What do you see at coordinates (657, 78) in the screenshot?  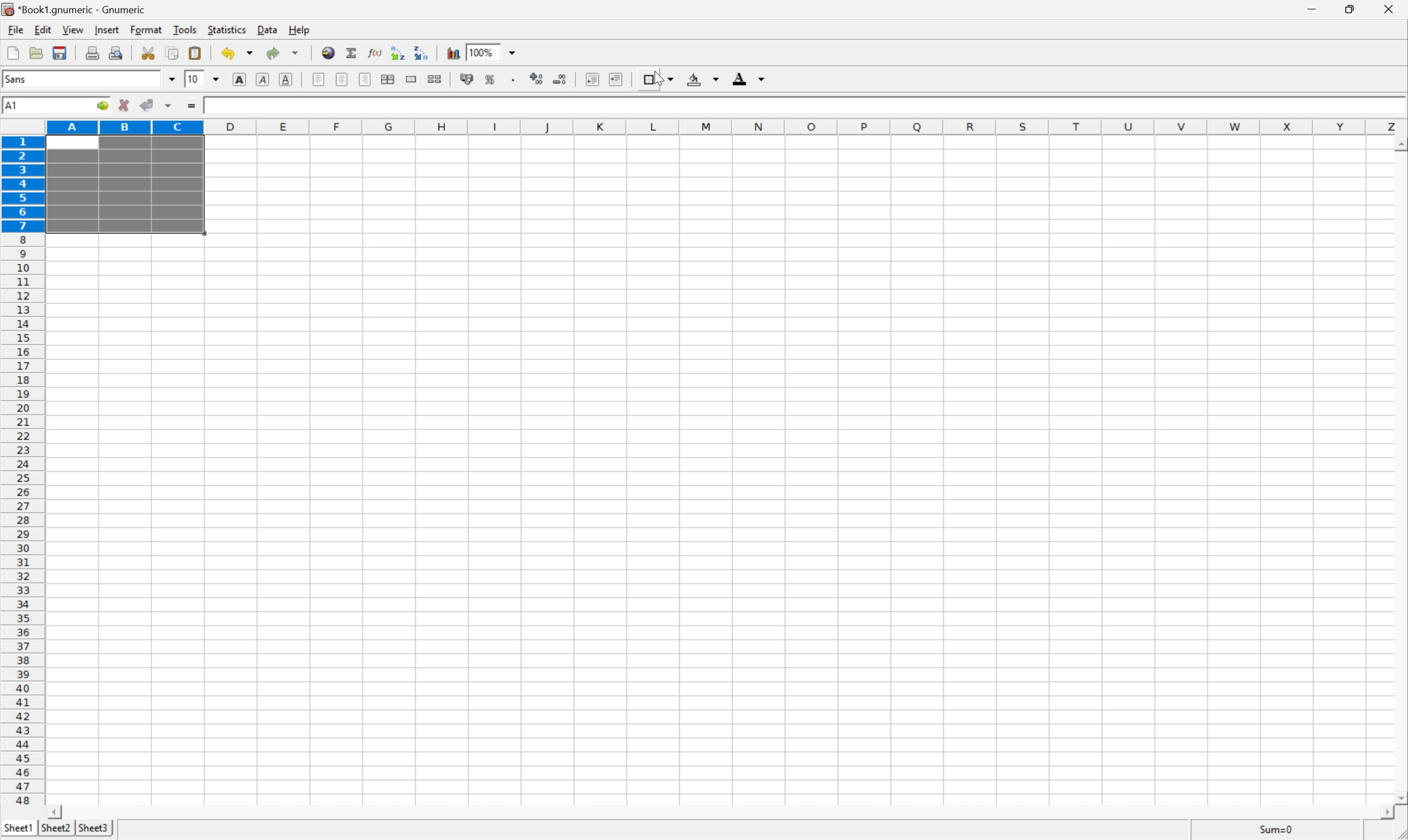 I see `borders` at bounding box center [657, 78].